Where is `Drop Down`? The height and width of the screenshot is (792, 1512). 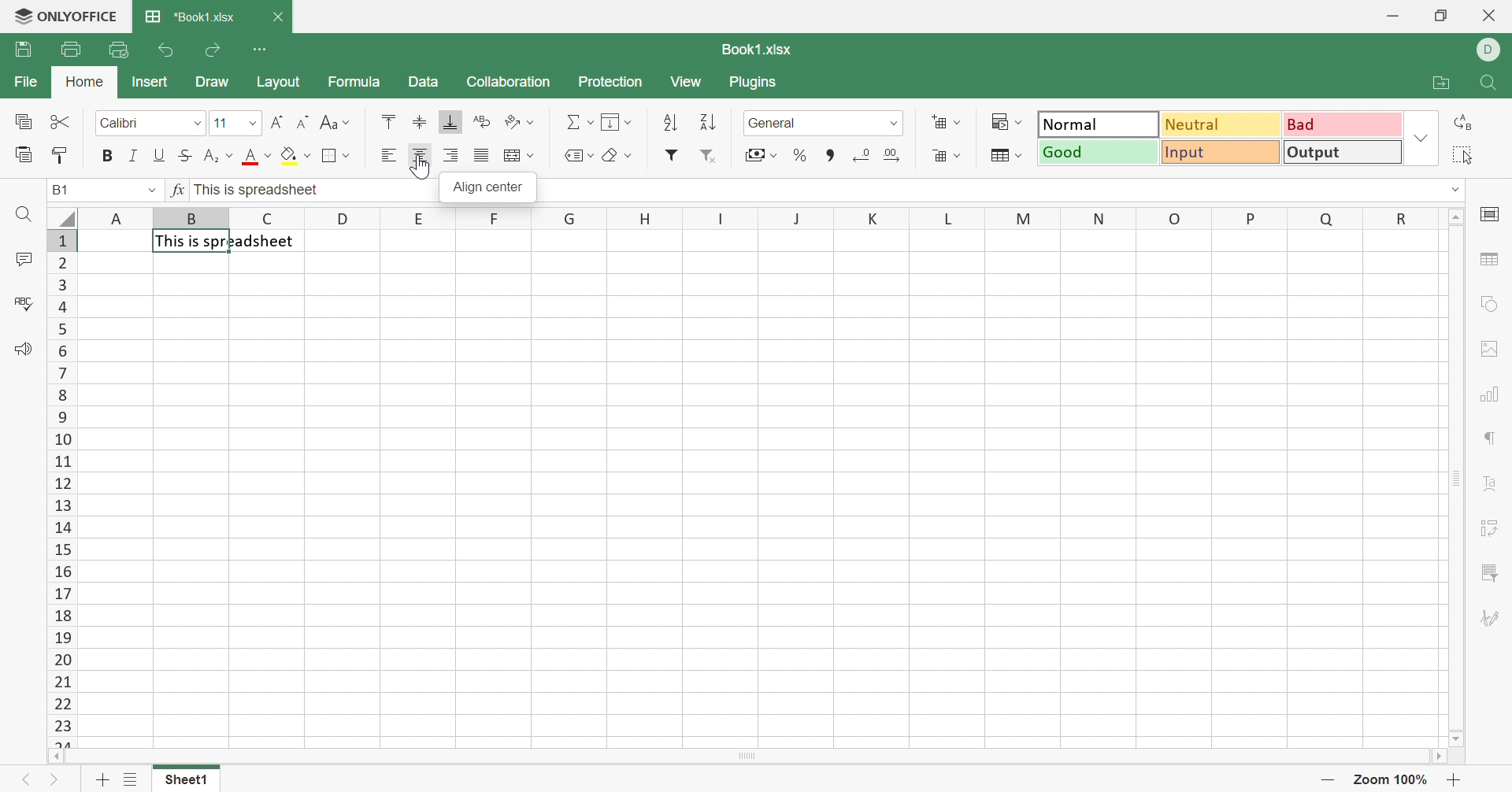 Drop Down is located at coordinates (269, 156).